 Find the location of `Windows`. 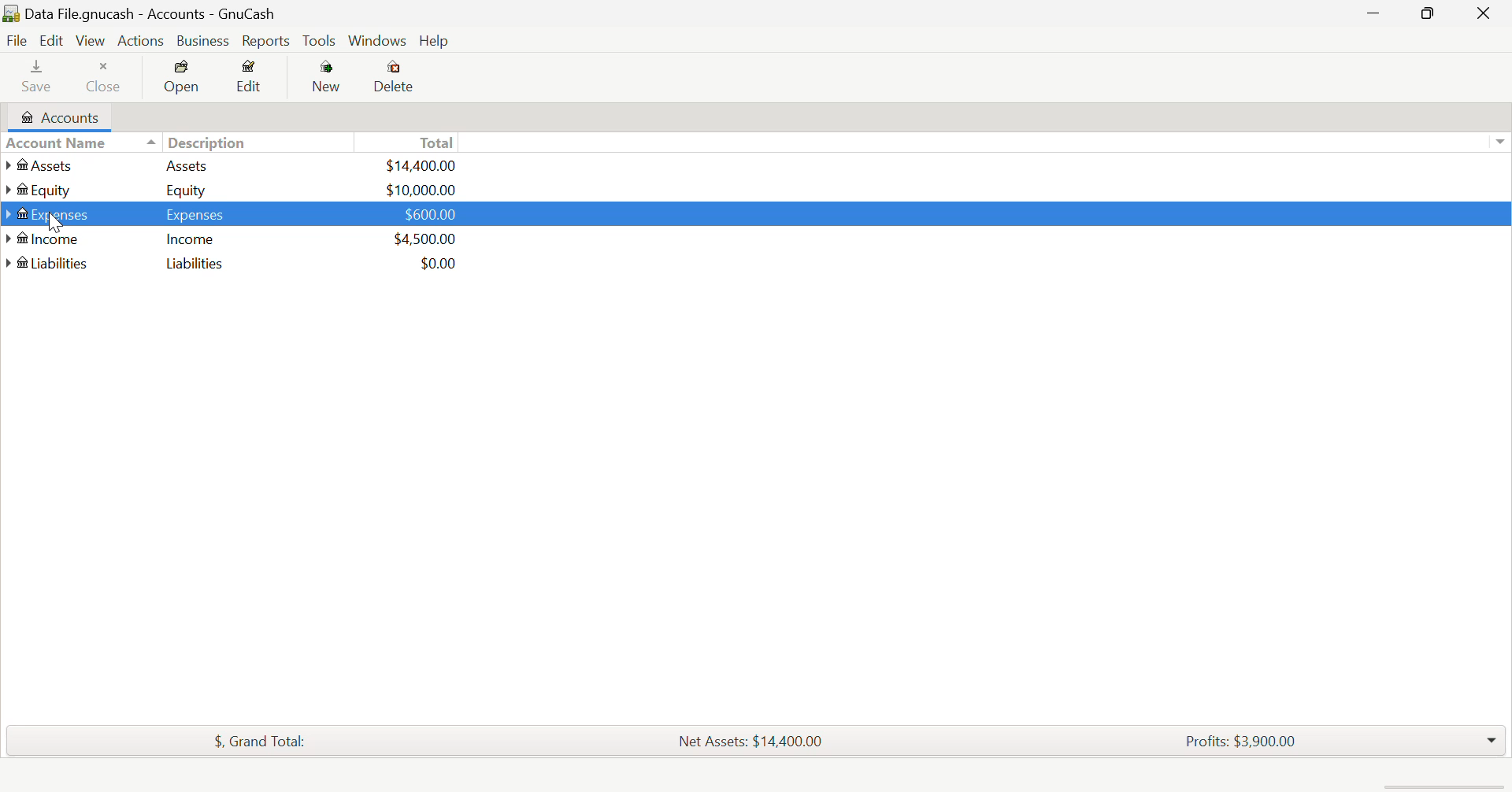

Windows is located at coordinates (378, 41).